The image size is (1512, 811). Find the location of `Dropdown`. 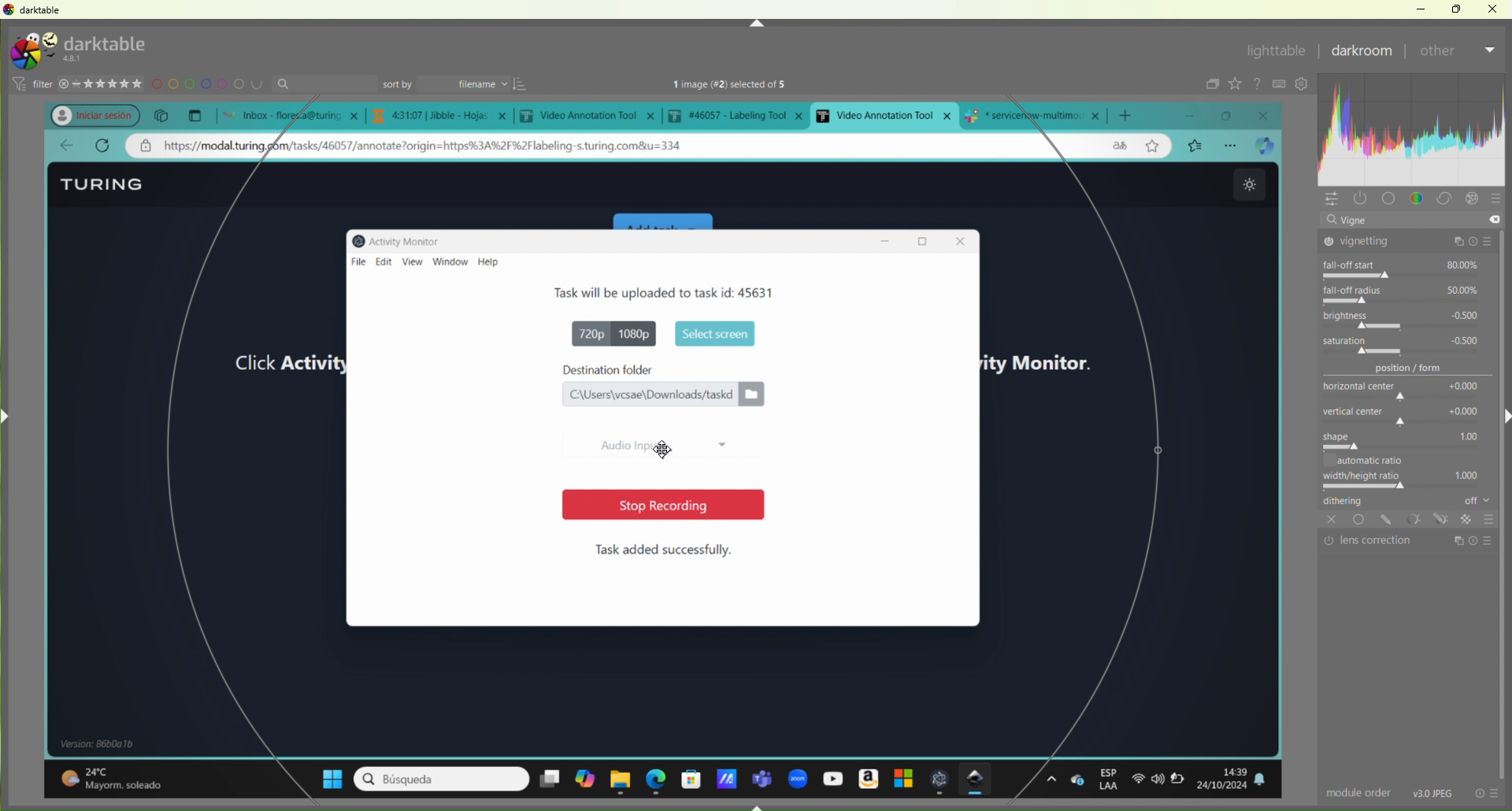

Dropdown is located at coordinates (1492, 50).